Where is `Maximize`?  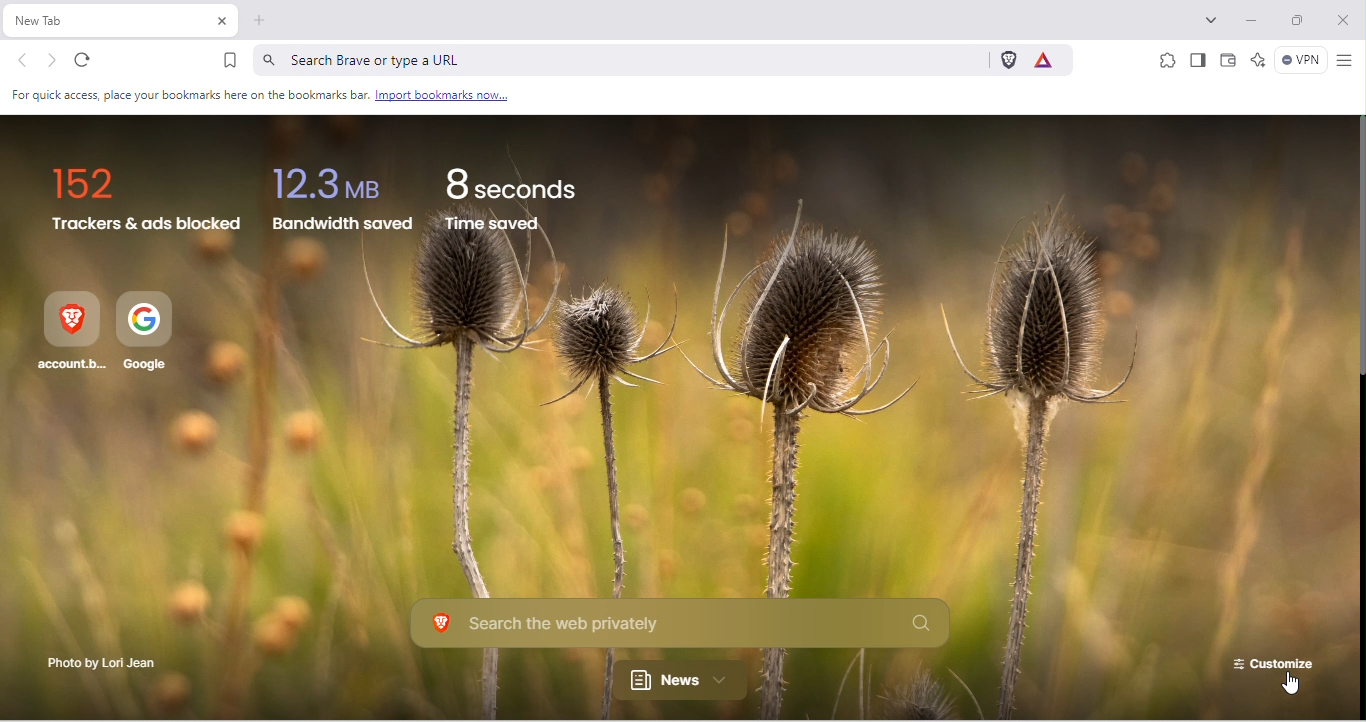 Maximize is located at coordinates (1302, 23).